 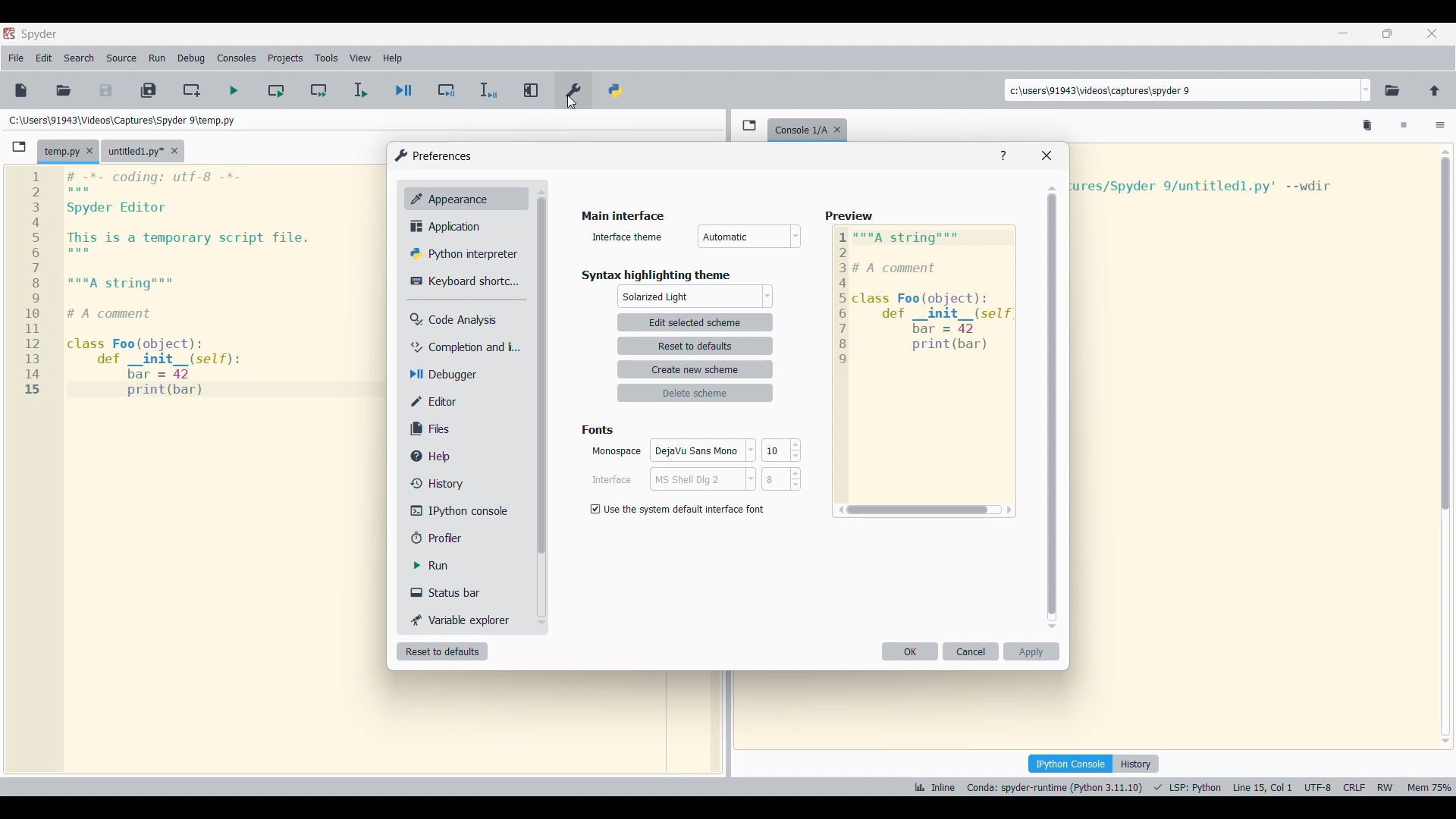 What do you see at coordinates (61, 152) in the screenshot?
I see `Current tab` at bounding box center [61, 152].